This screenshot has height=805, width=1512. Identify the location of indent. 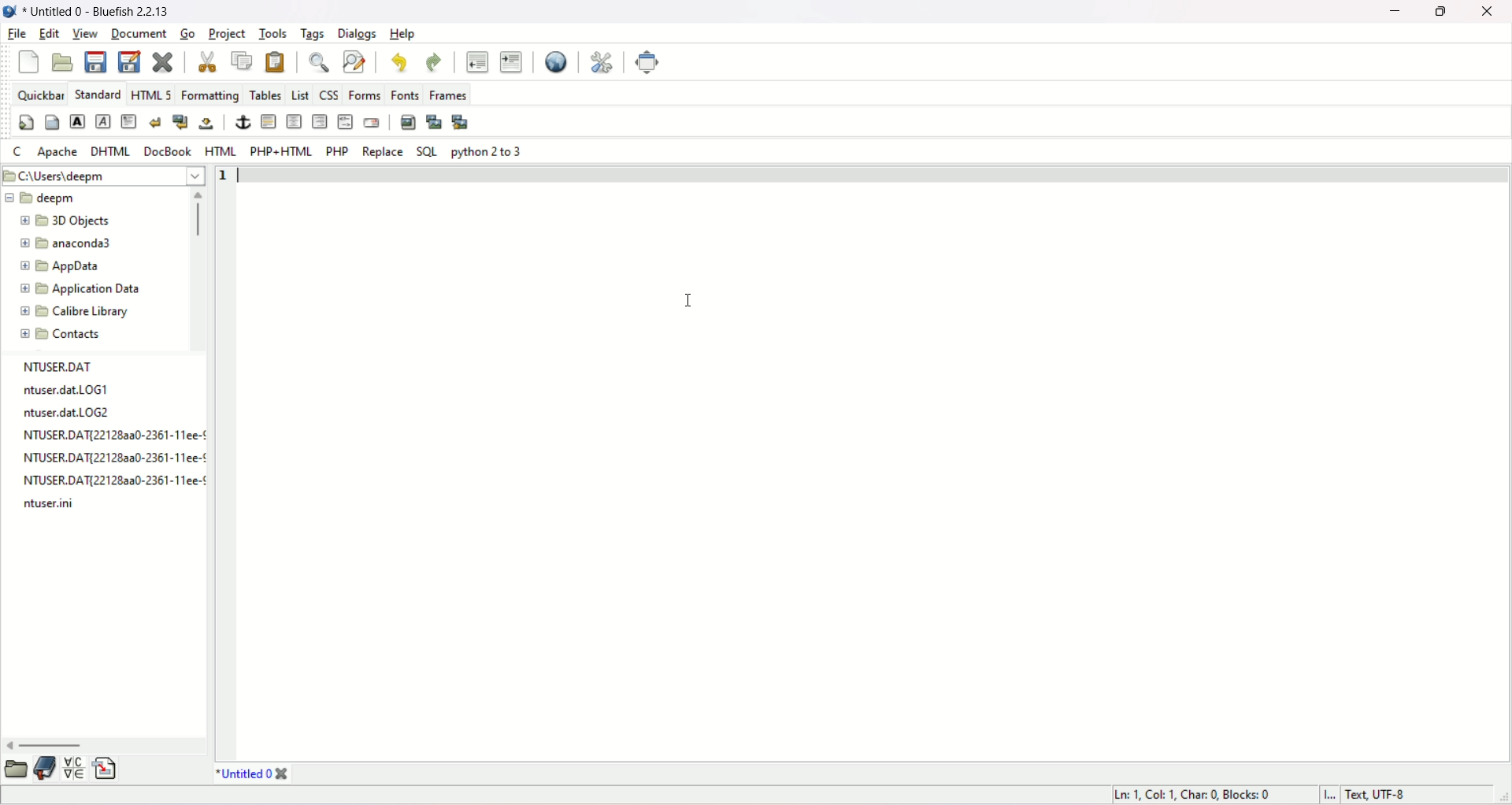
(512, 62).